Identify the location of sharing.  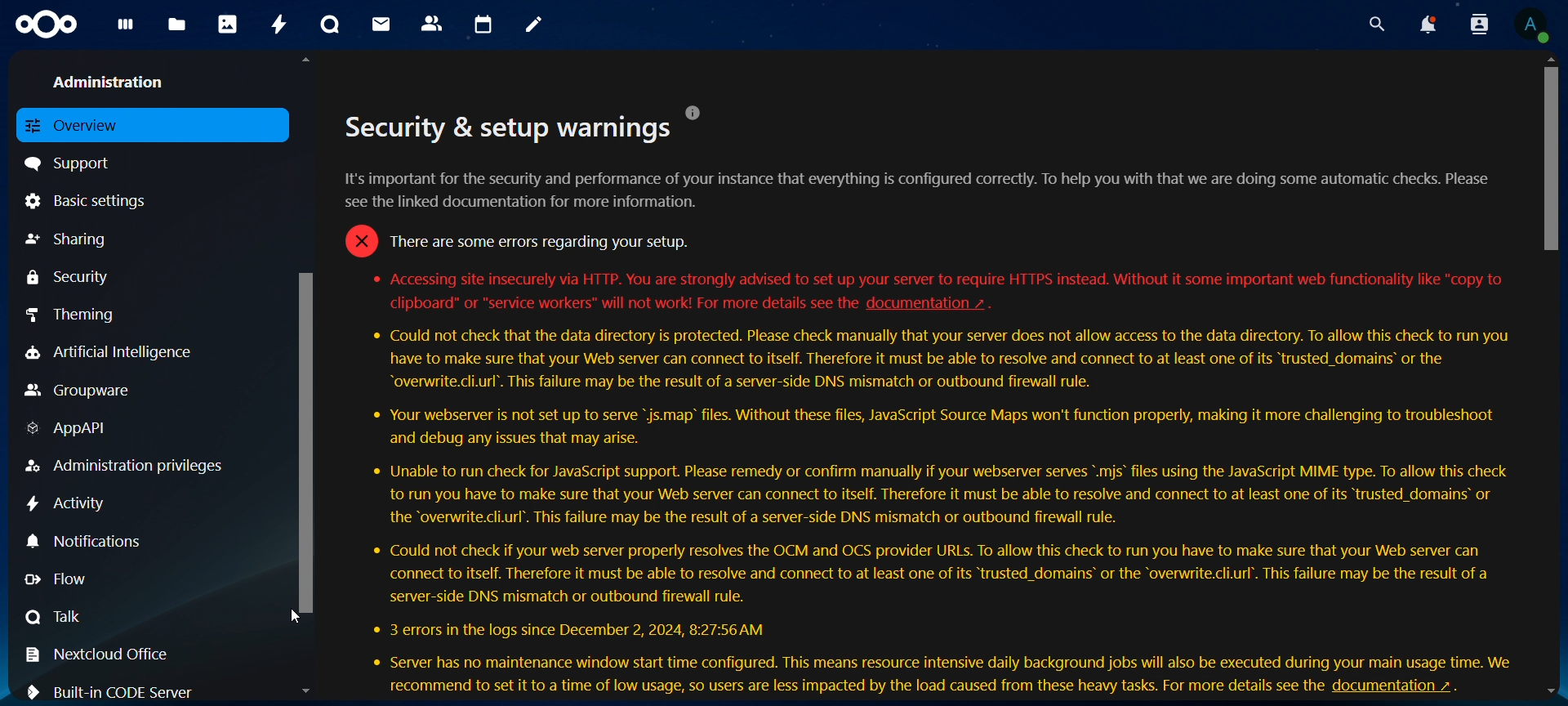
(69, 239).